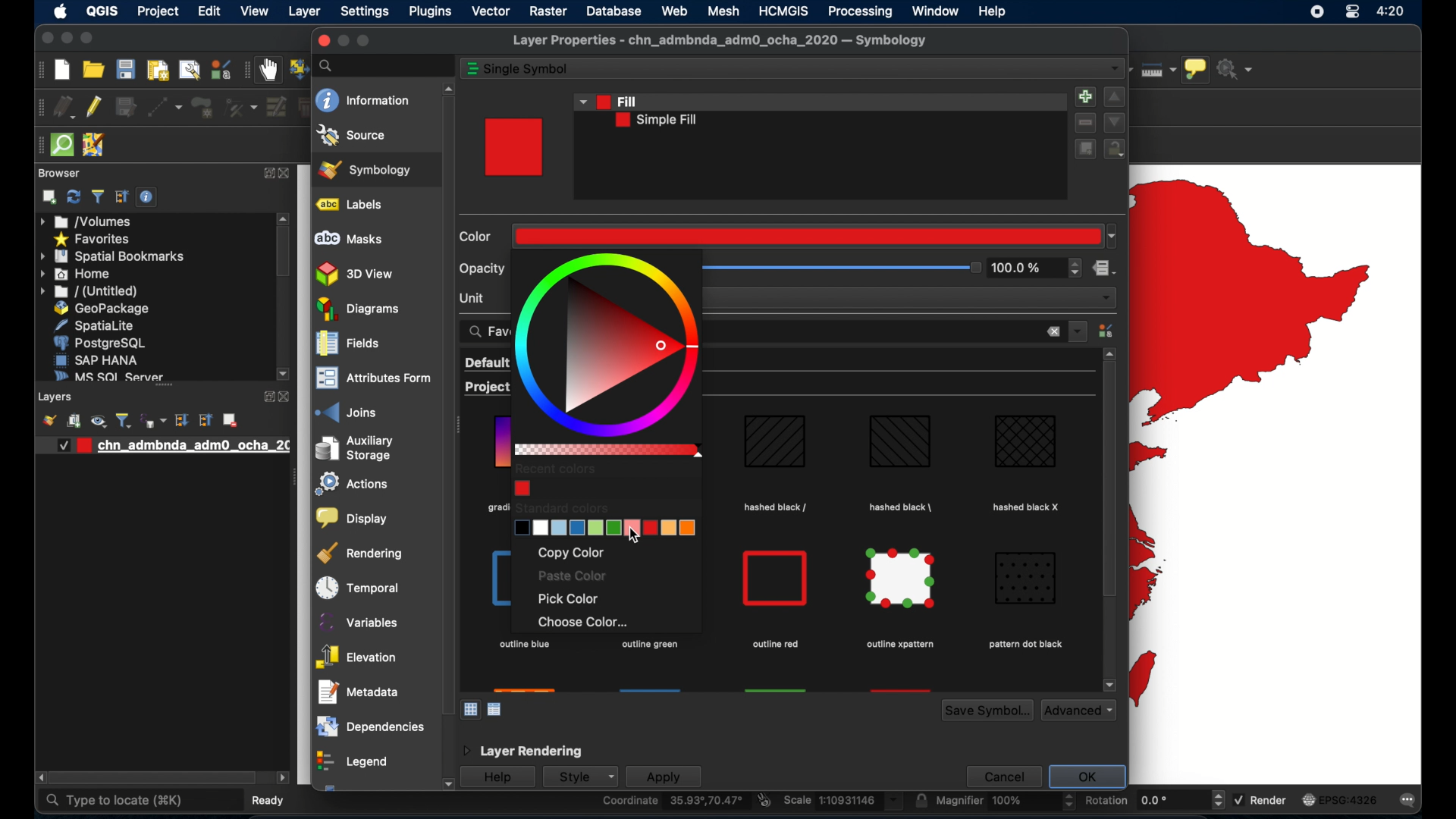 This screenshot has height=819, width=1456. I want to click on icon view, so click(471, 708).